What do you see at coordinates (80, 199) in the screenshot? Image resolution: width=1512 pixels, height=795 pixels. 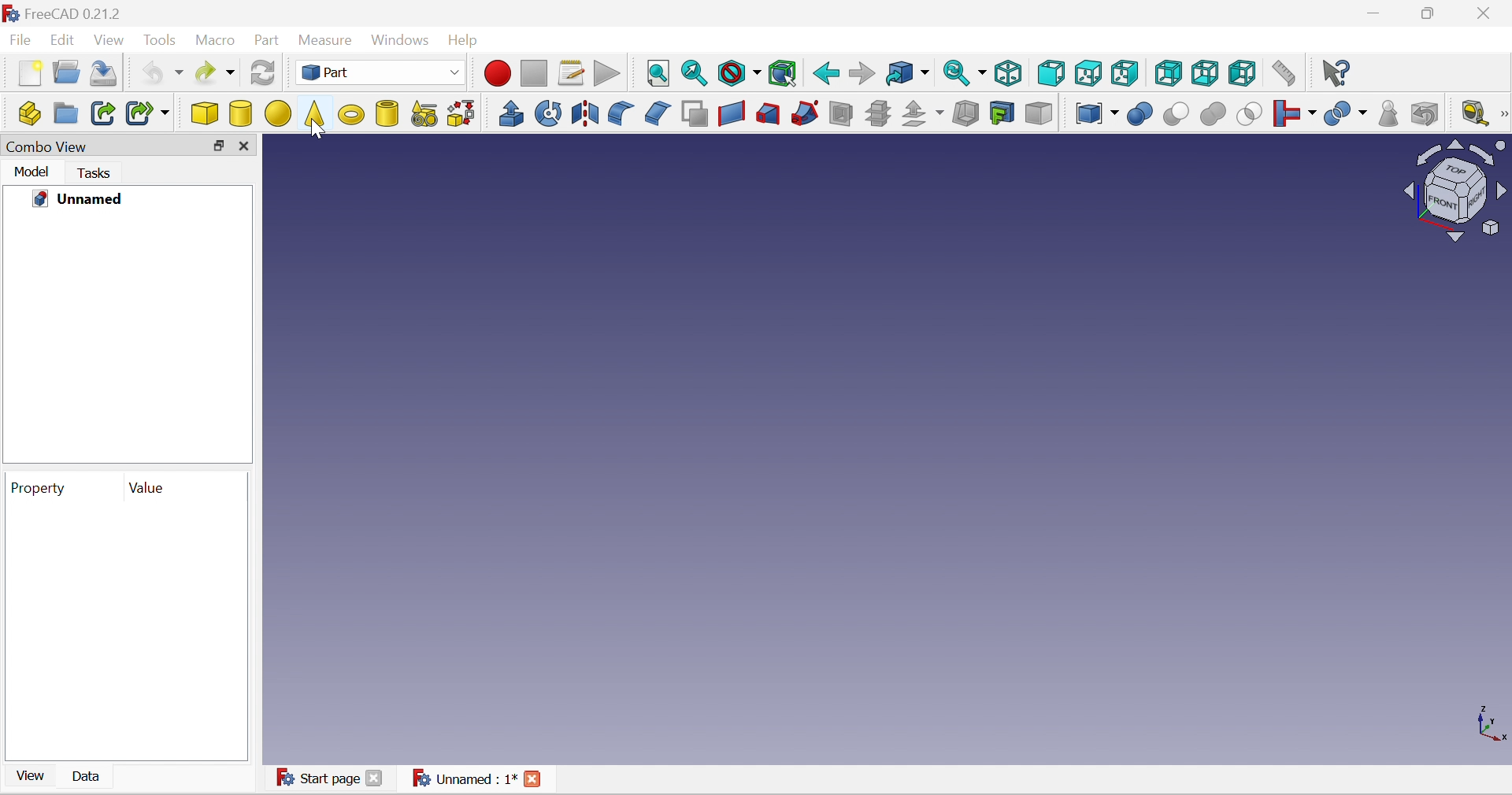 I see `Unnamed` at bounding box center [80, 199].